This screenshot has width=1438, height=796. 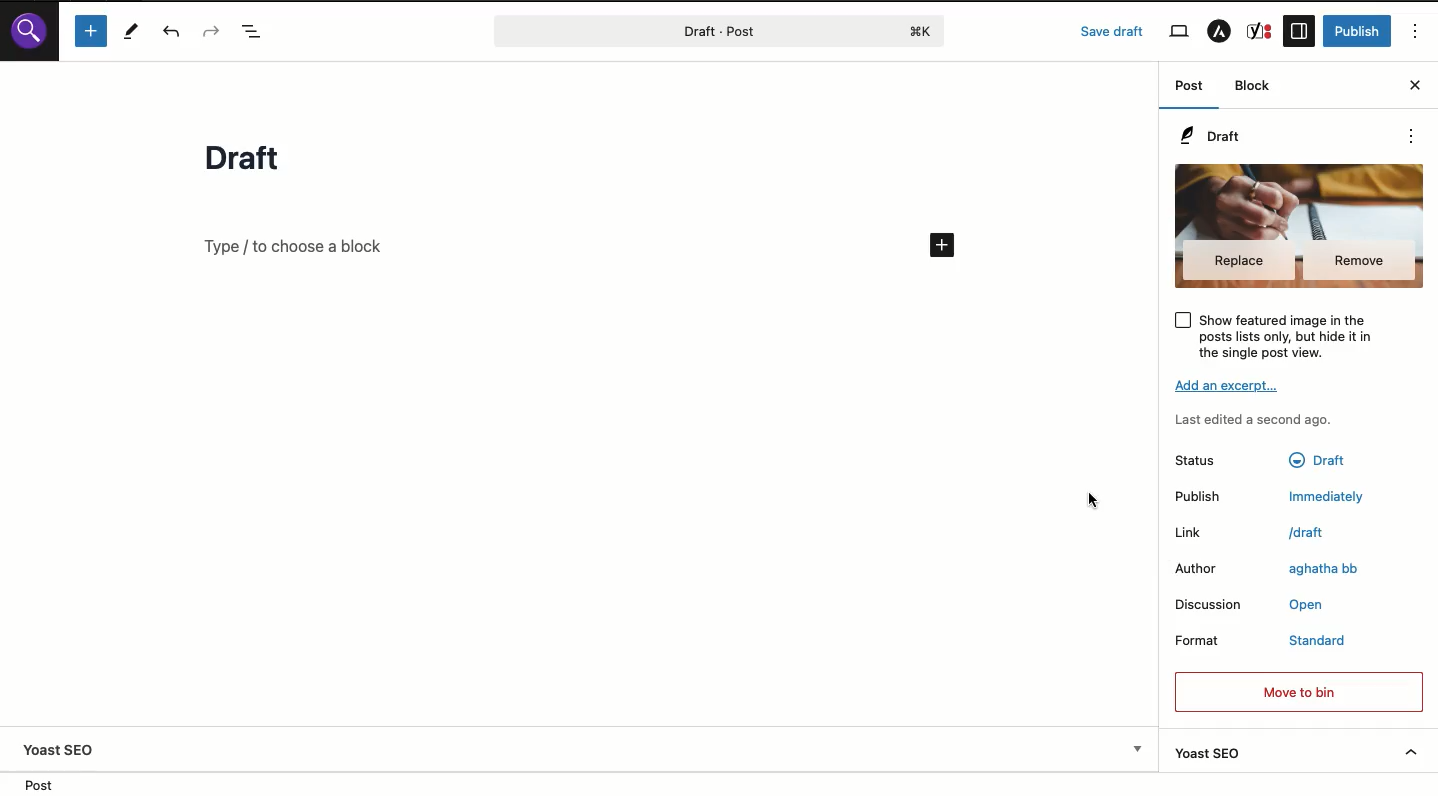 What do you see at coordinates (1317, 459) in the screenshot?
I see `text` at bounding box center [1317, 459].